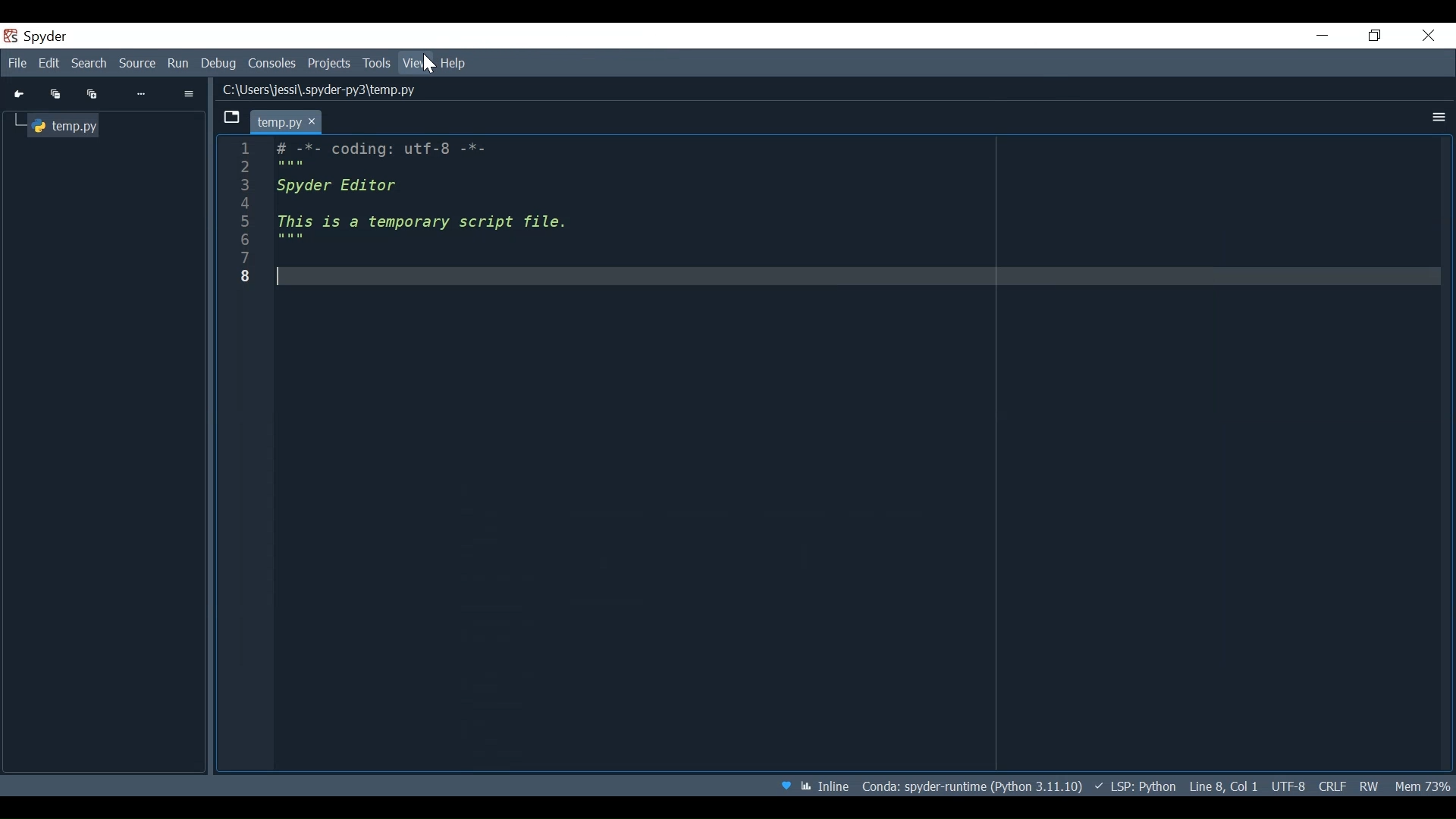 This screenshot has width=1456, height=819. What do you see at coordinates (140, 64) in the screenshot?
I see `Source` at bounding box center [140, 64].